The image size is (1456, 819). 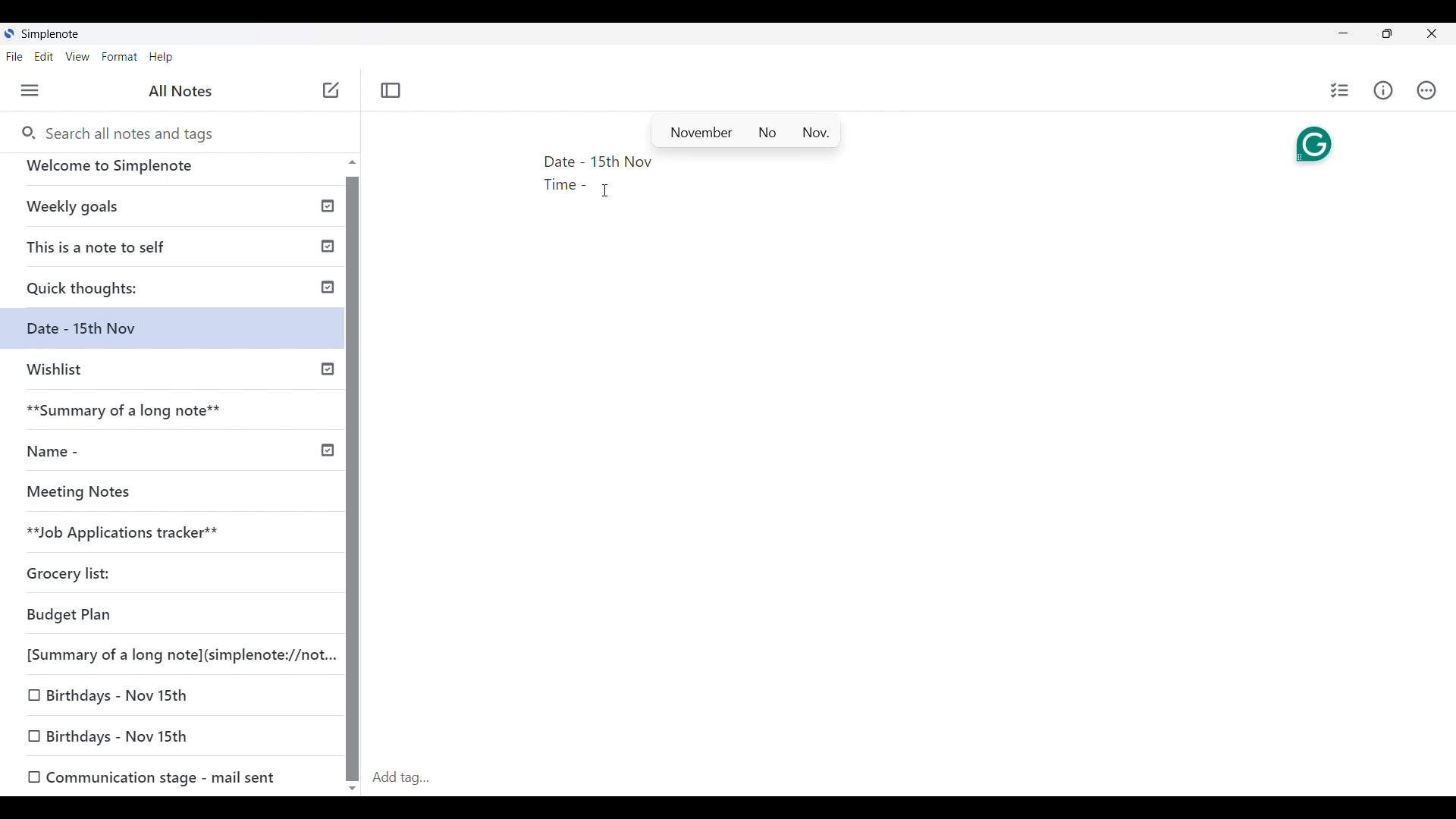 What do you see at coordinates (353, 162) in the screenshot?
I see `Quick slide to top` at bounding box center [353, 162].